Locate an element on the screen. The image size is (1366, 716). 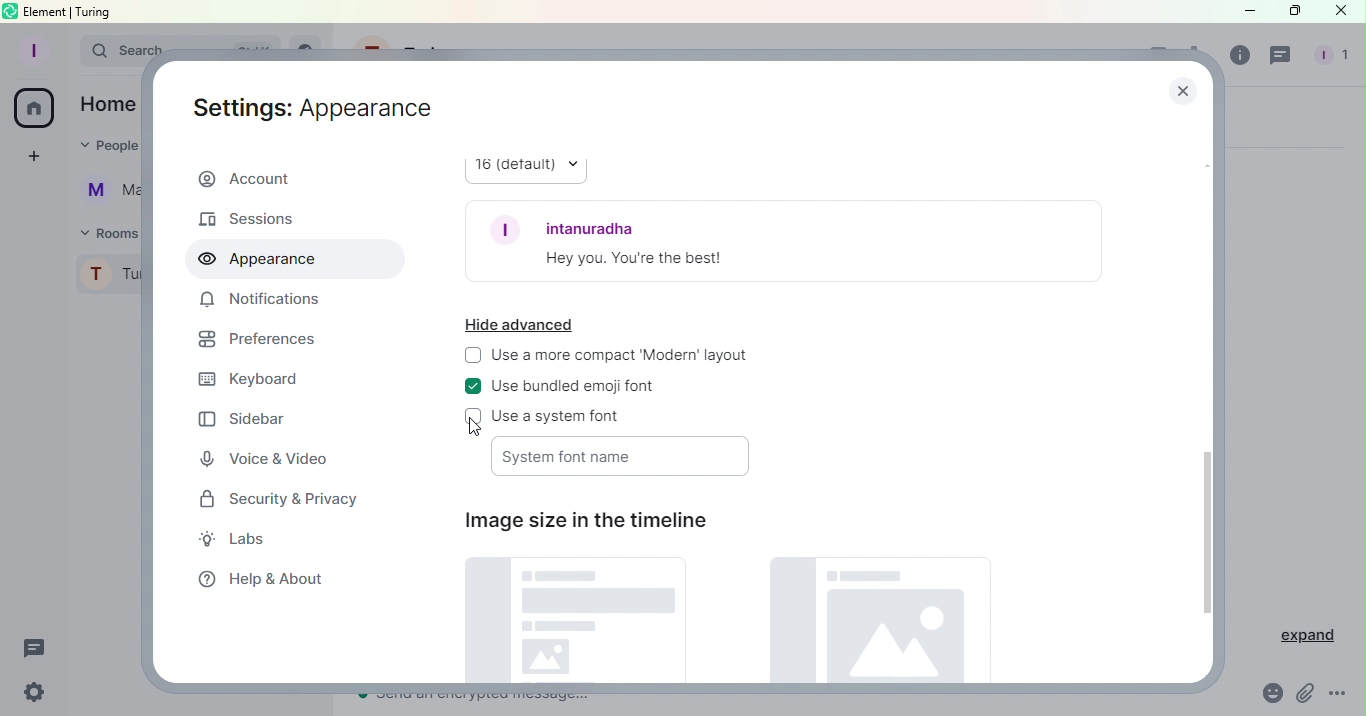
Attachment is located at coordinates (1306, 695).